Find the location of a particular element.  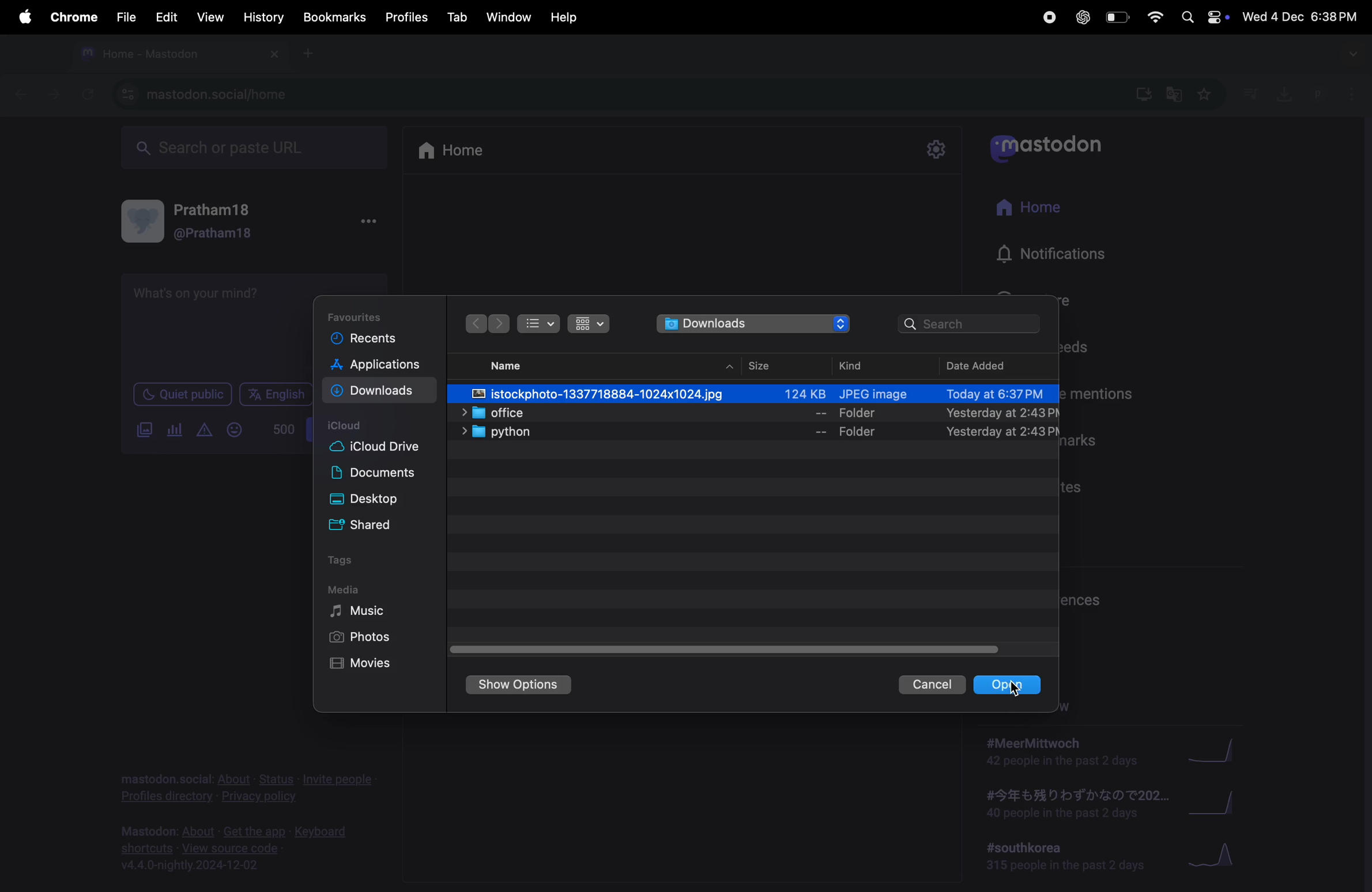

open is located at coordinates (1011, 683).